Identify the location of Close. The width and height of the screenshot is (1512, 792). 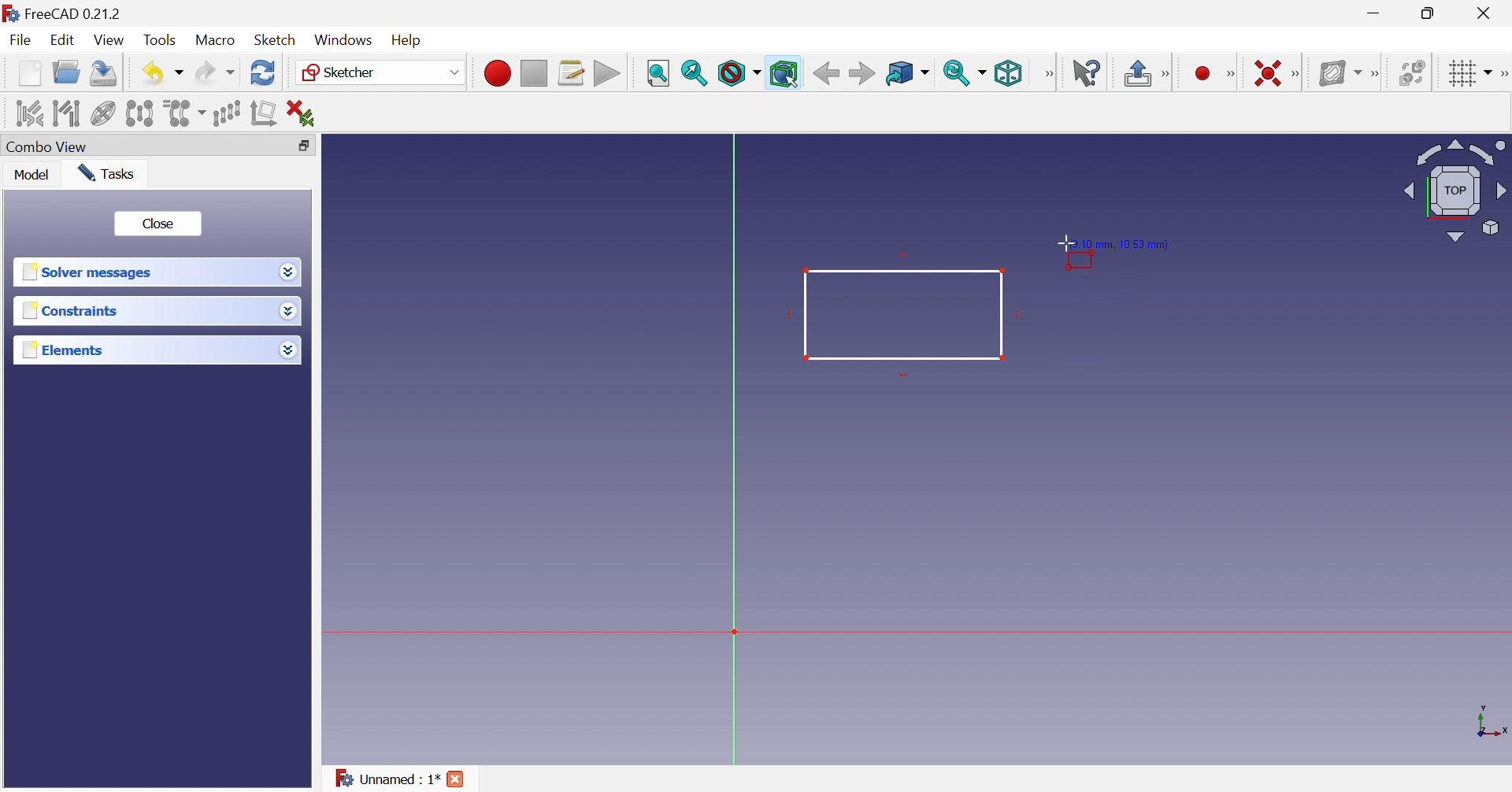
(456, 778).